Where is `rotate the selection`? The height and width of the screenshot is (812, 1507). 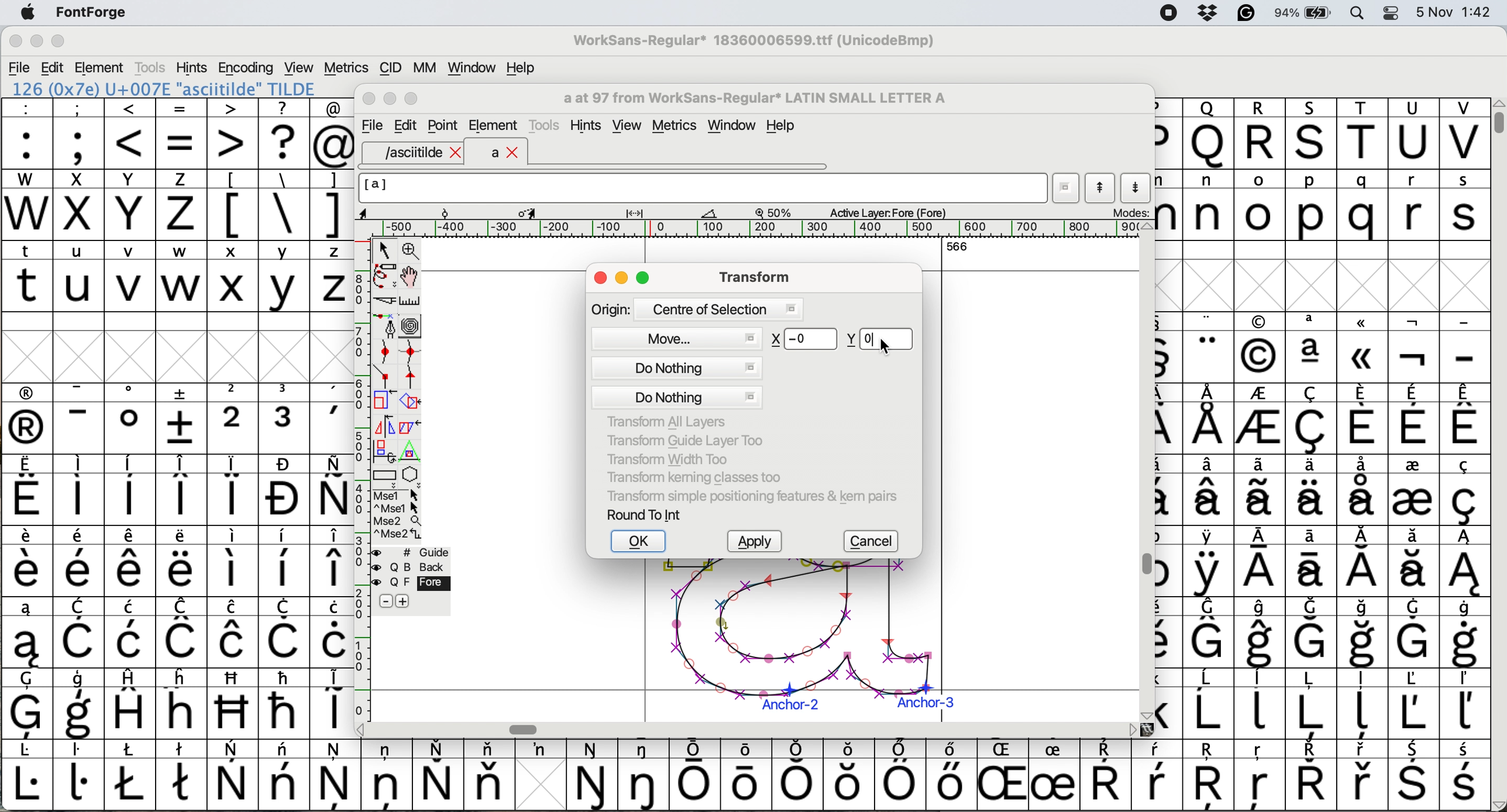 rotate the selection is located at coordinates (416, 402).